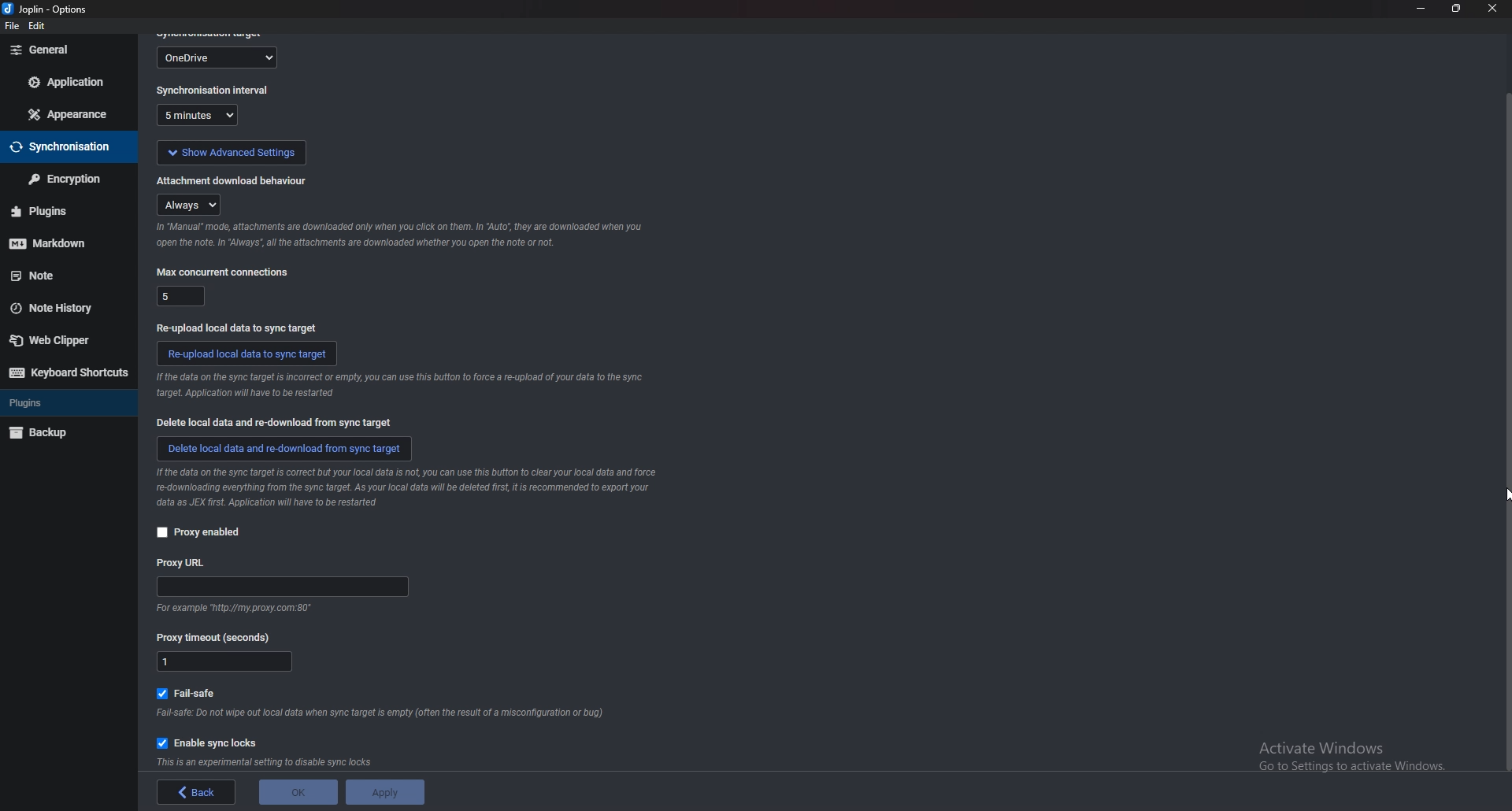 The height and width of the screenshot is (811, 1512). Describe the element at coordinates (39, 27) in the screenshot. I see `edit` at that location.